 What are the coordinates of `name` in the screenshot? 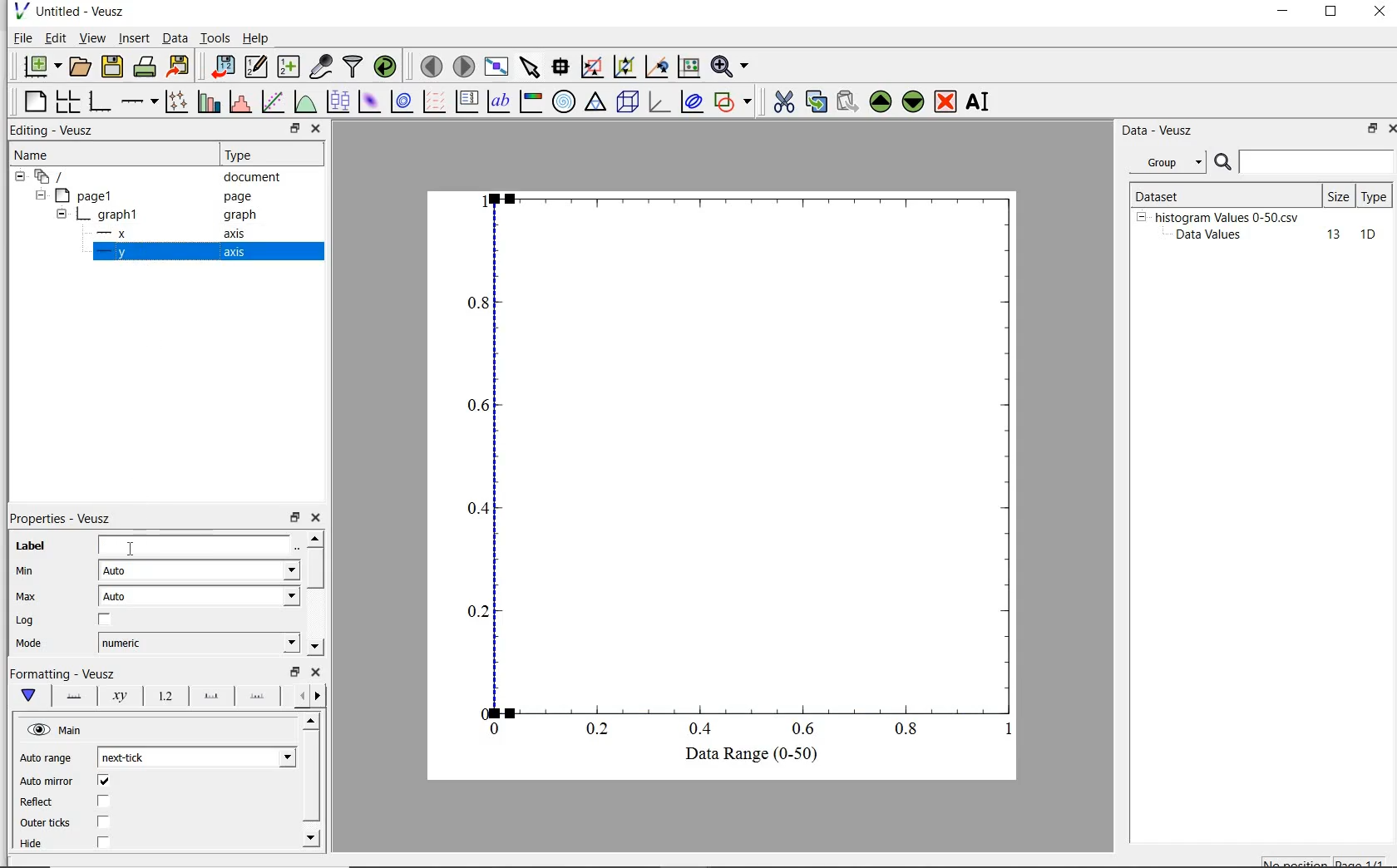 It's located at (30, 155).